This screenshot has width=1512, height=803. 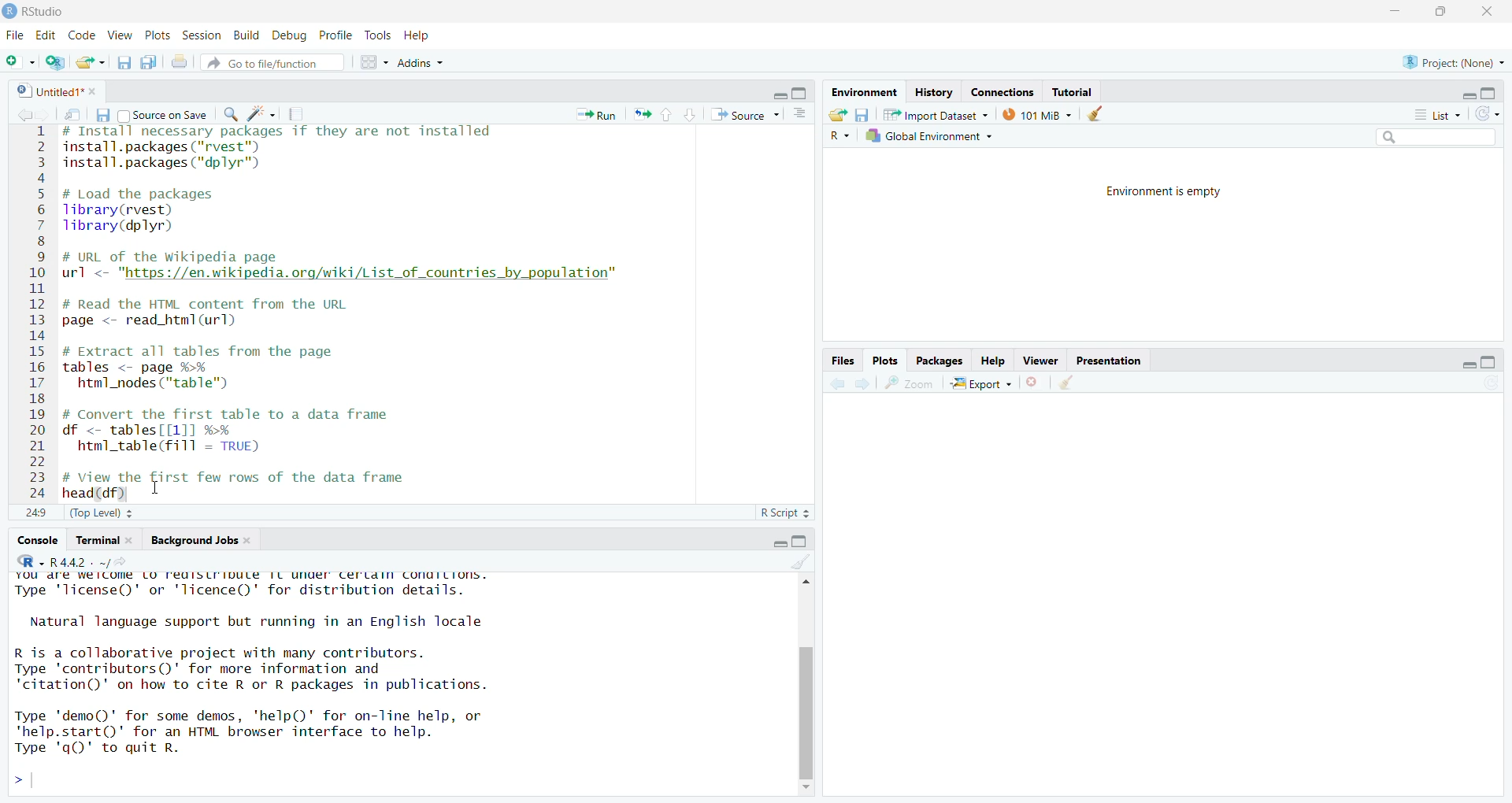 What do you see at coordinates (295, 113) in the screenshot?
I see `compile report` at bounding box center [295, 113].